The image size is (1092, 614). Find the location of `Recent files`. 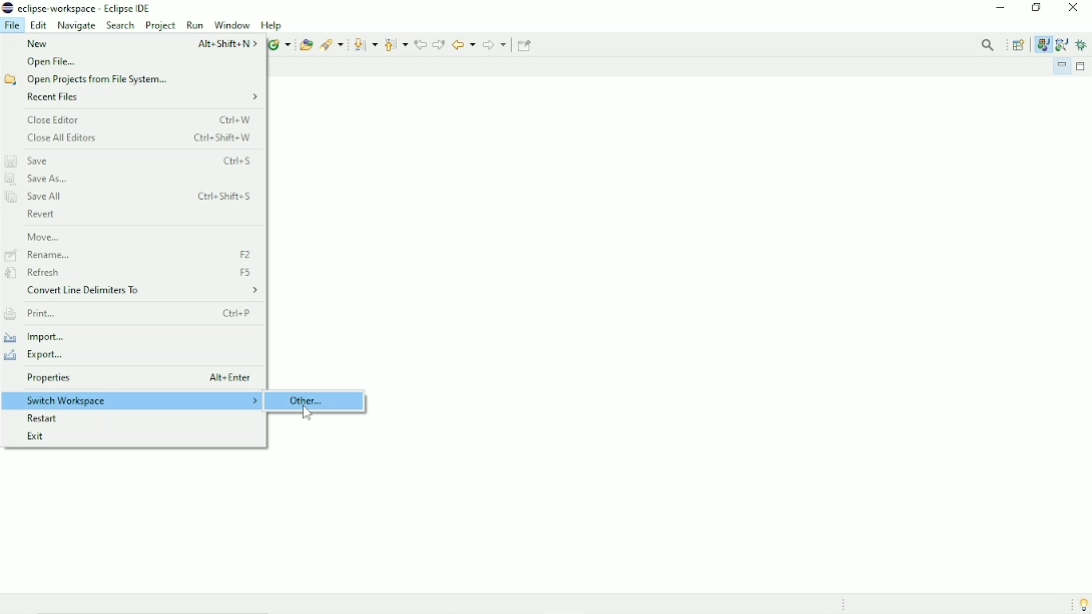

Recent files is located at coordinates (143, 98).